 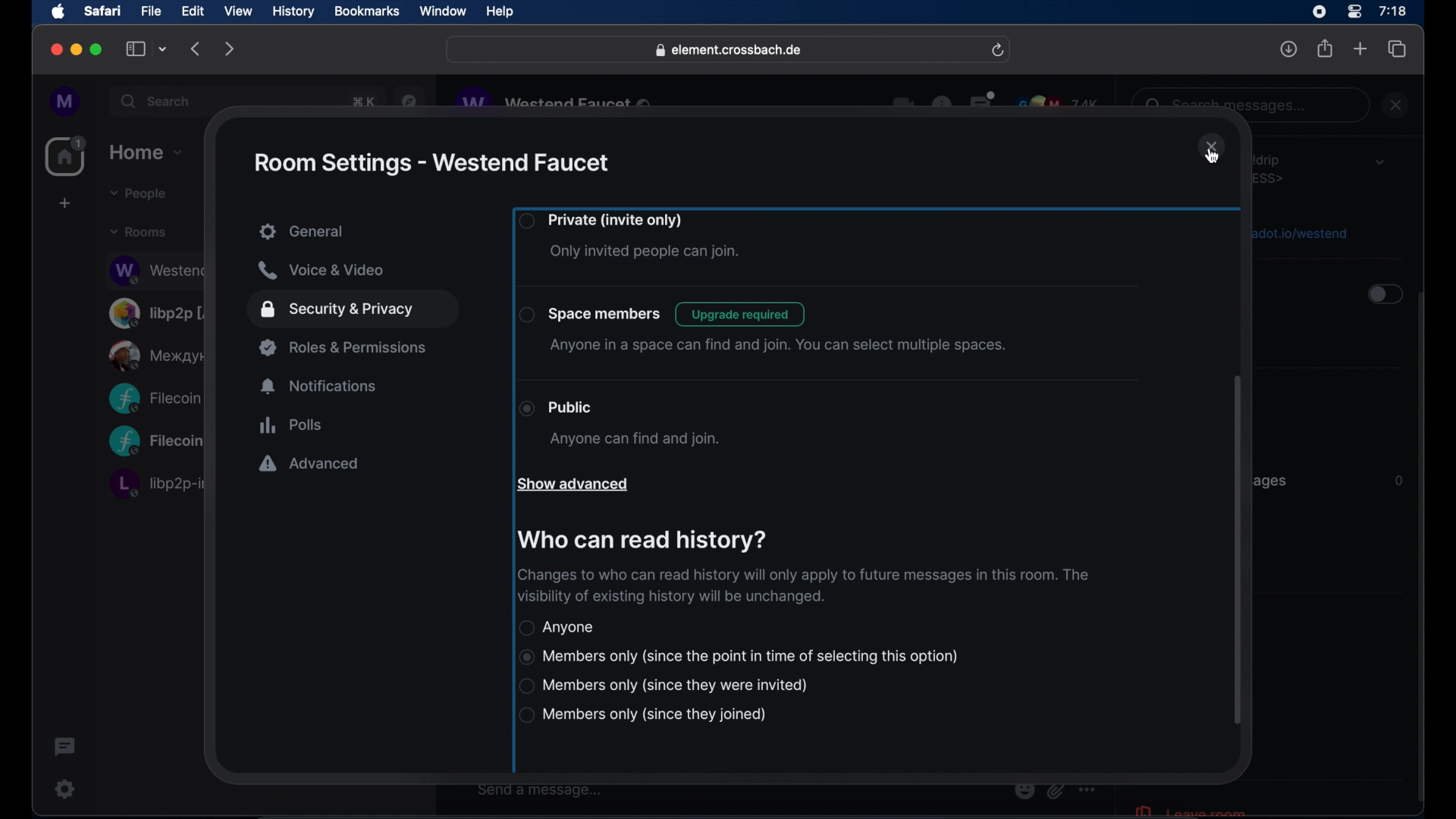 I want to click on obscure, so click(x=361, y=102).